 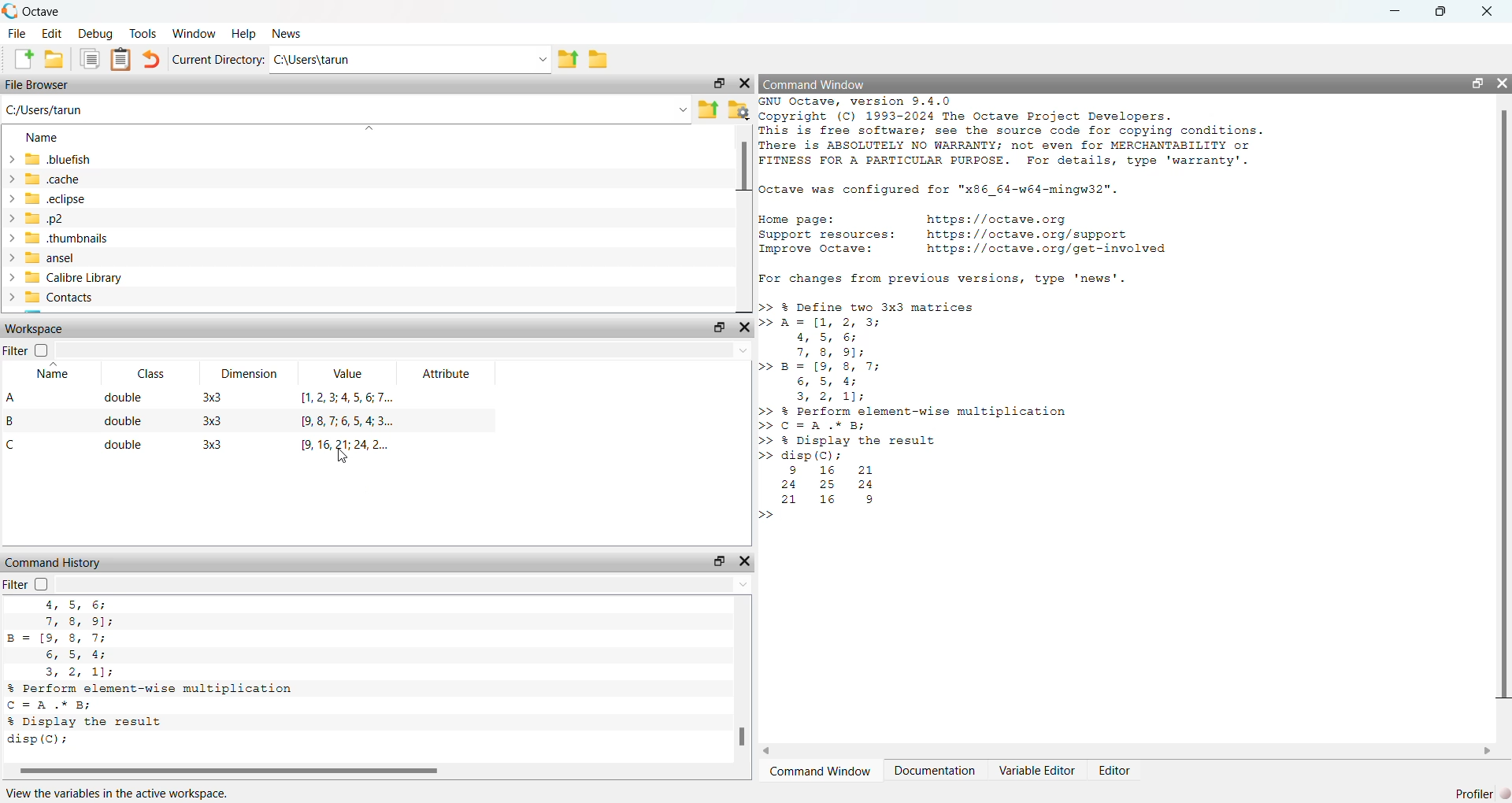 I want to click on Editor, so click(x=1115, y=772).